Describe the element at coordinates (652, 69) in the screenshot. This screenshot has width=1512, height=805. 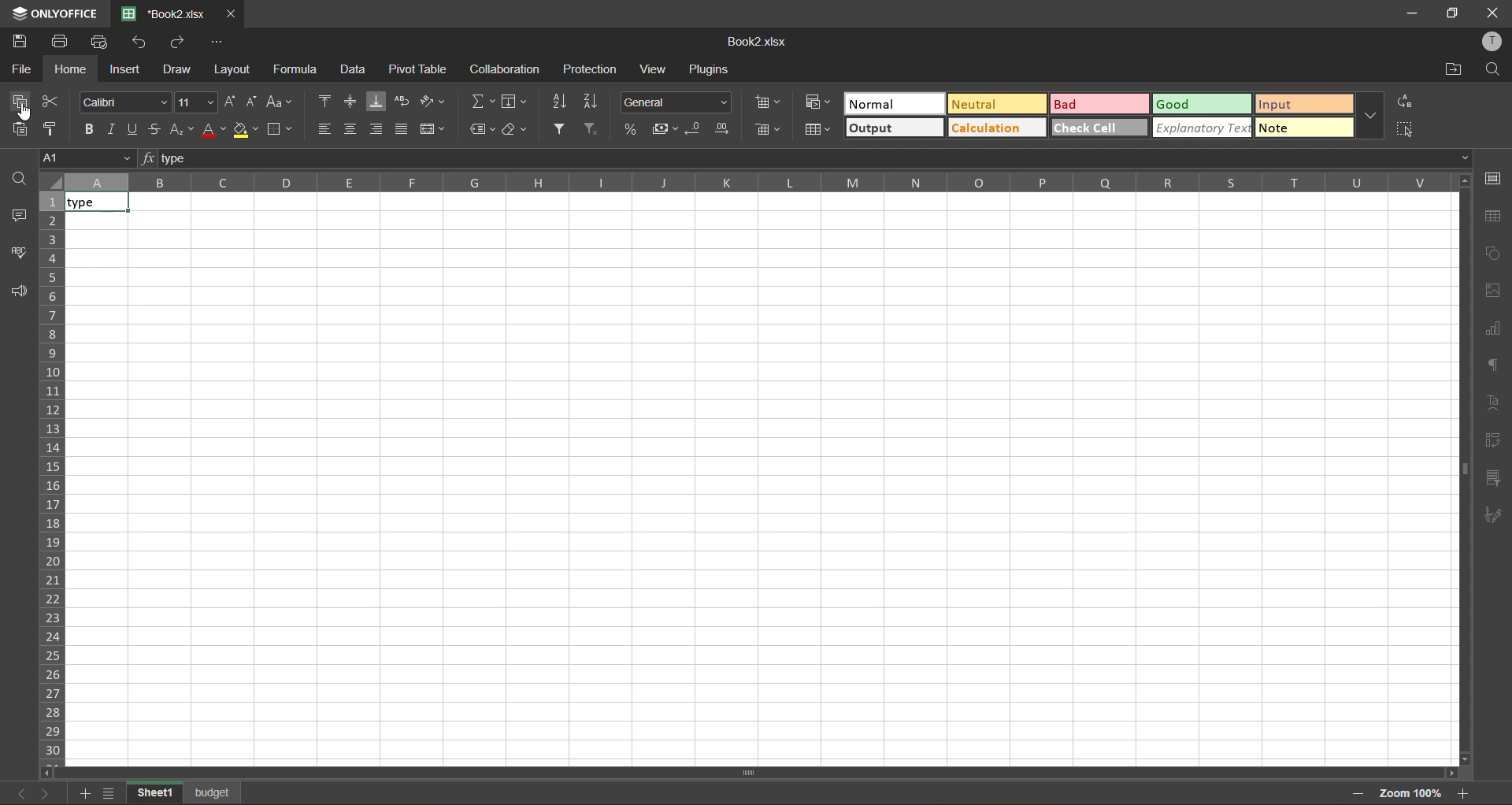
I see `view` at that location.